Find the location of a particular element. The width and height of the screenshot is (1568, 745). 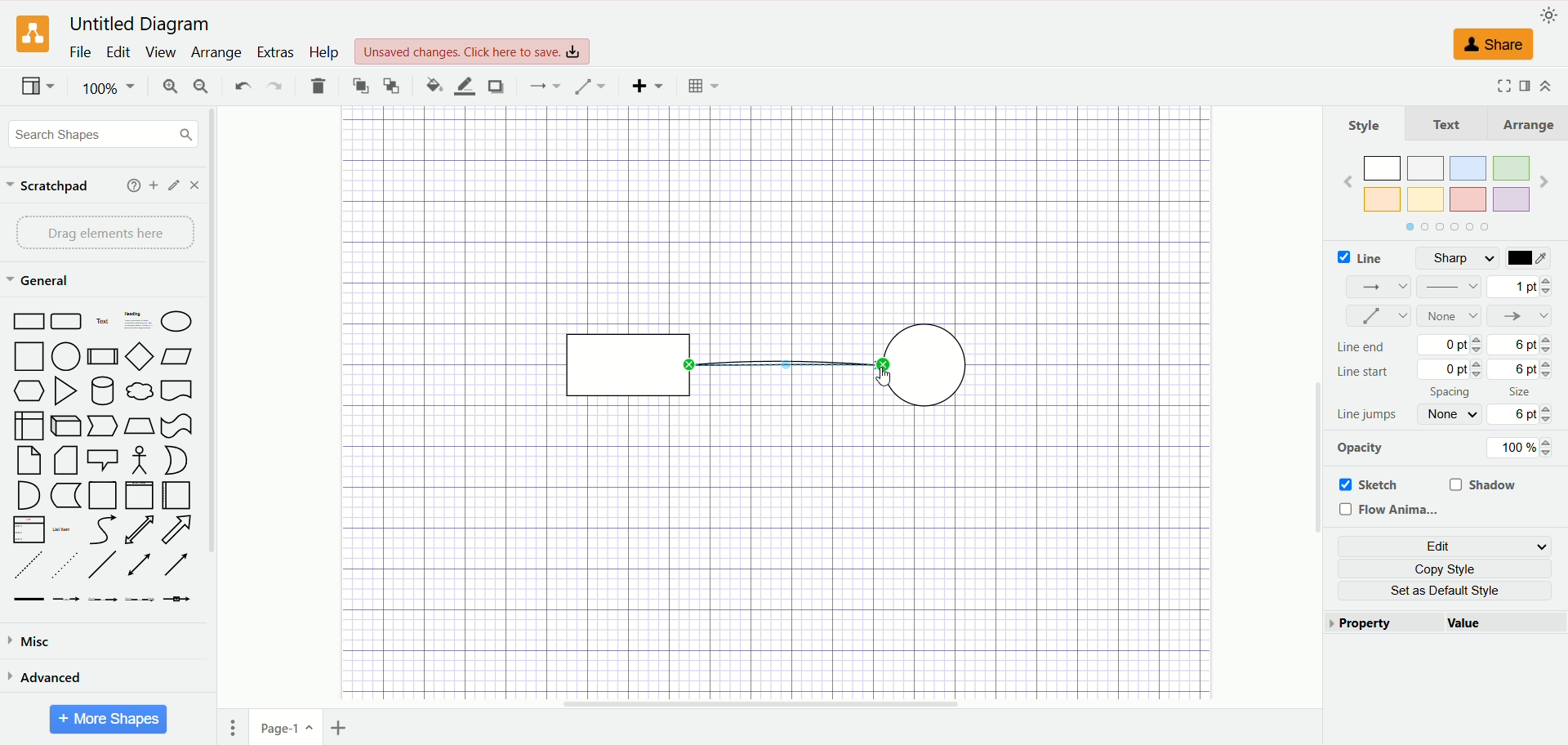

100% is located at coordinates (1517, 448).